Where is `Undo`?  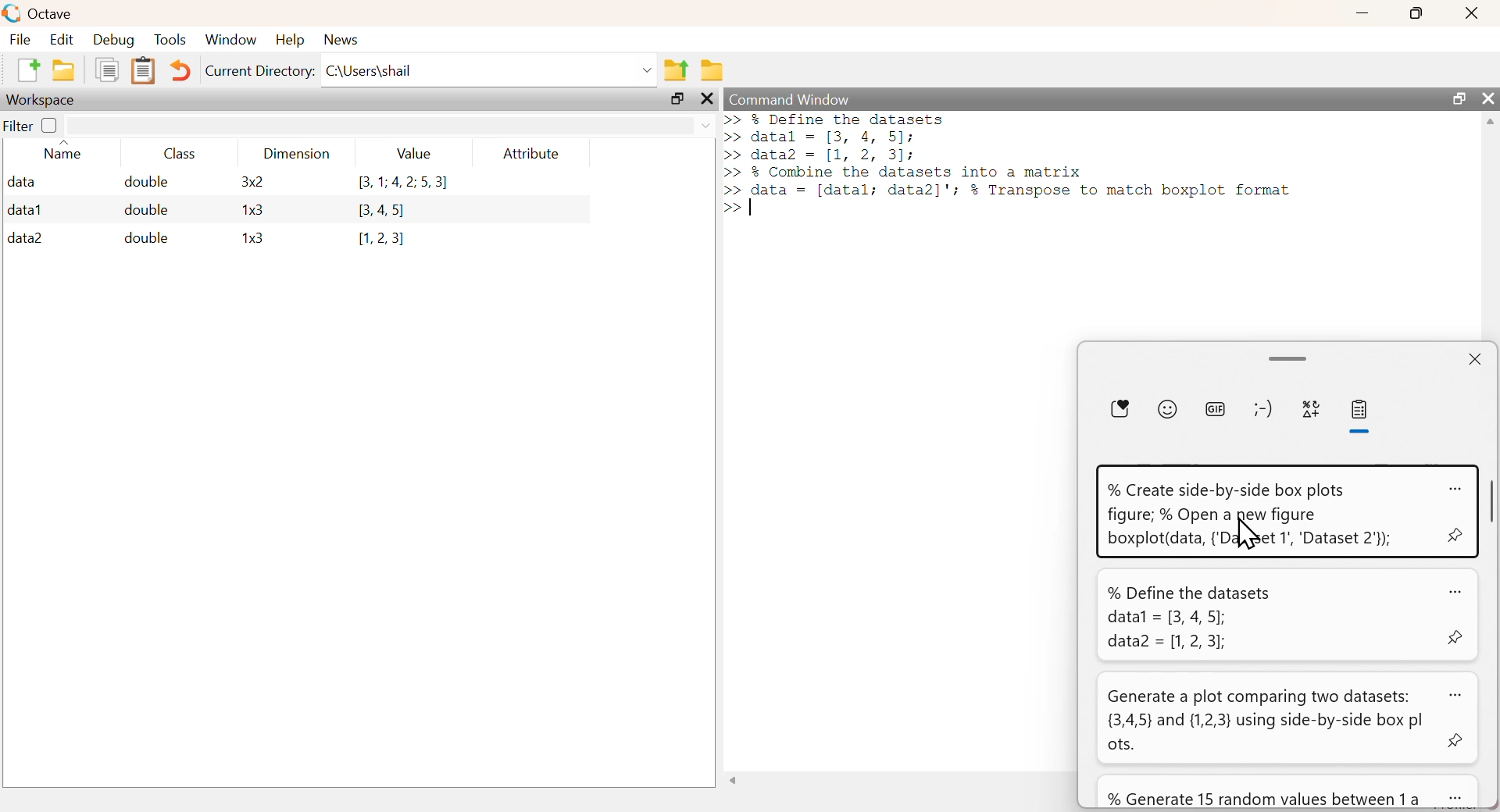
Undo is located at coordinates (182, 72).